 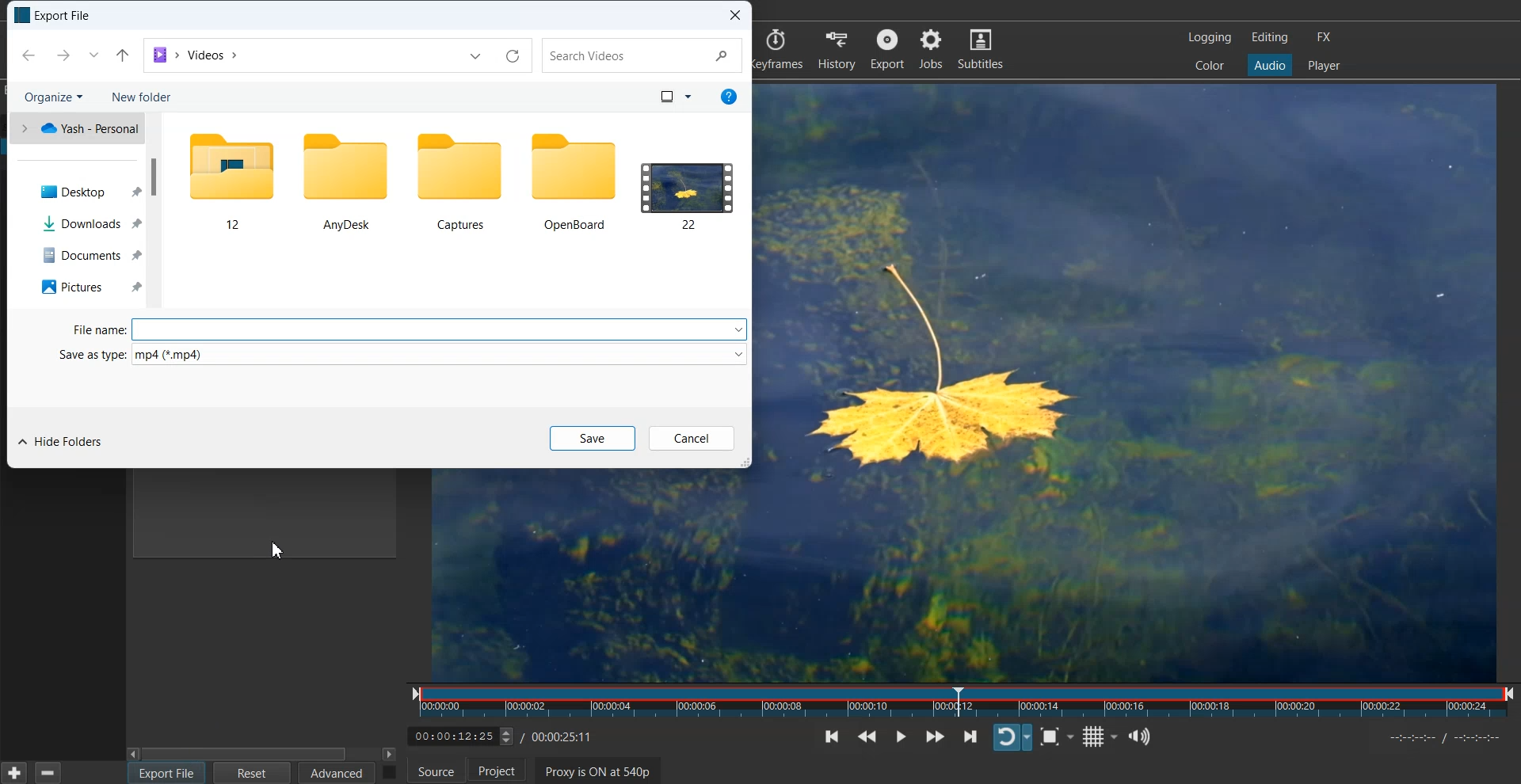 I want to click on Files, so click(x=224, y=181).